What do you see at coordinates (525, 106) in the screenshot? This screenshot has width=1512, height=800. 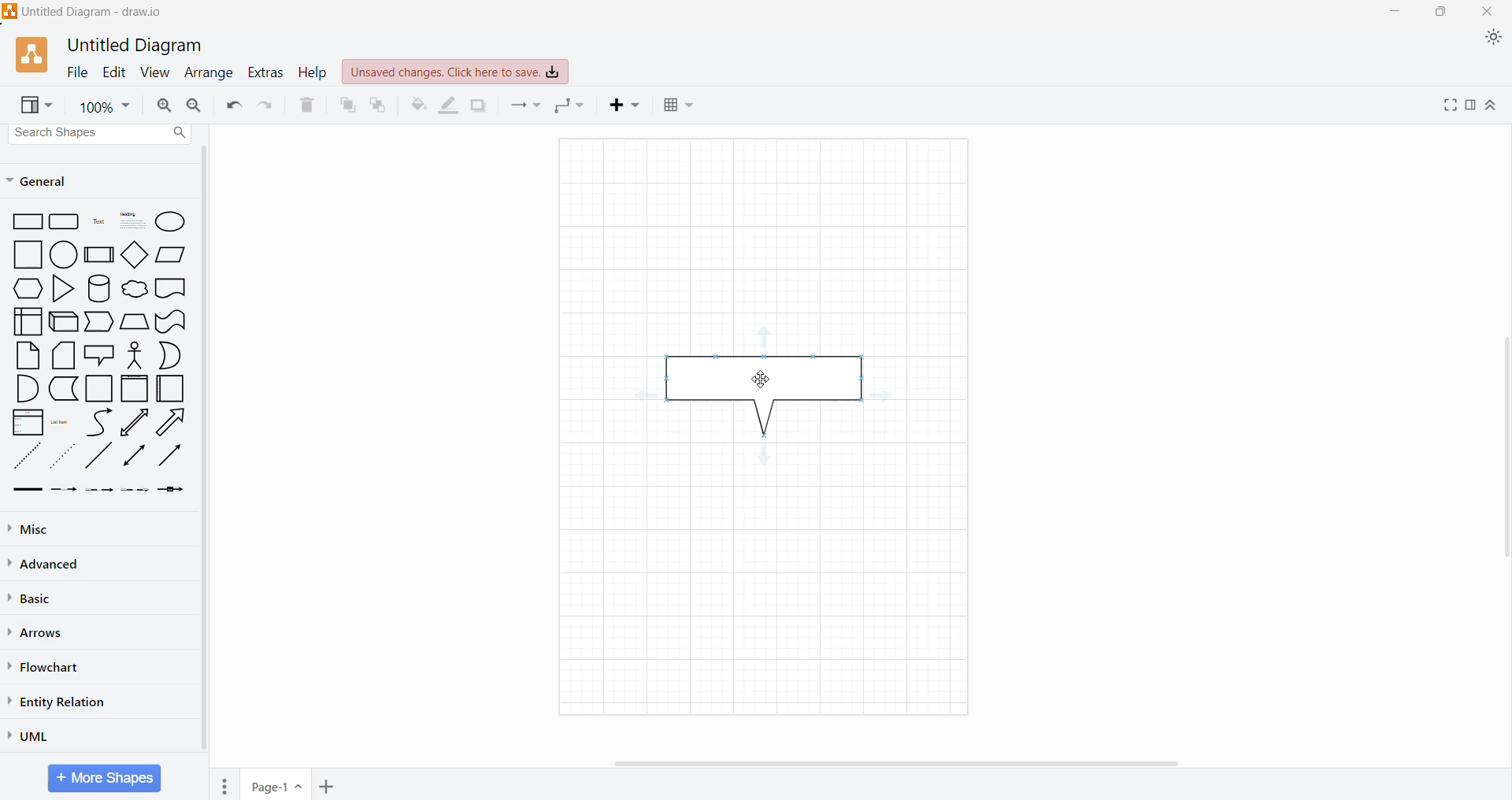 I see `Connection` at bounding box center [525, 106].